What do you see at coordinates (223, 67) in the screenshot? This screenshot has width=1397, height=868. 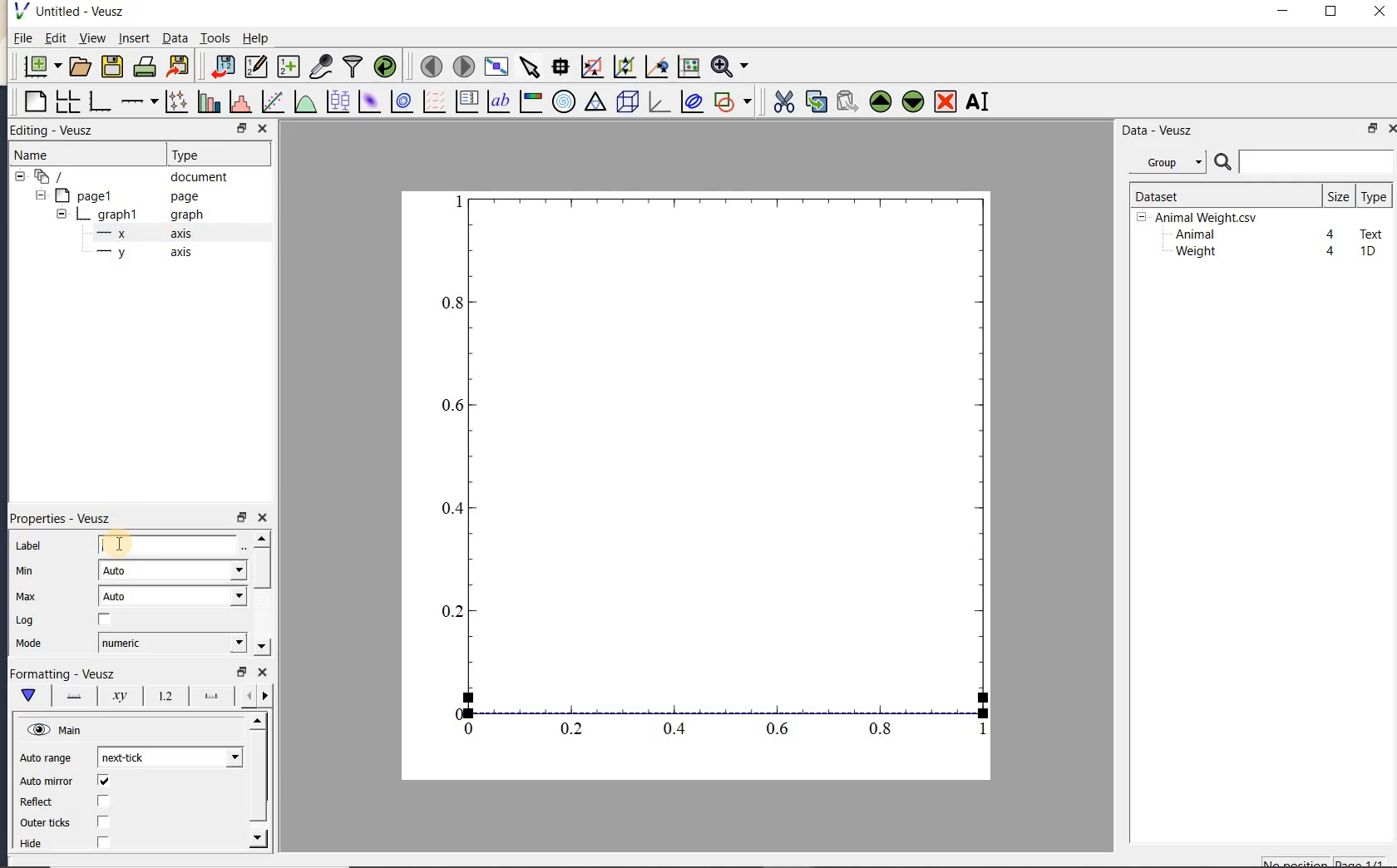 I see `import data into Veusz` at bounding box center [223, 67].